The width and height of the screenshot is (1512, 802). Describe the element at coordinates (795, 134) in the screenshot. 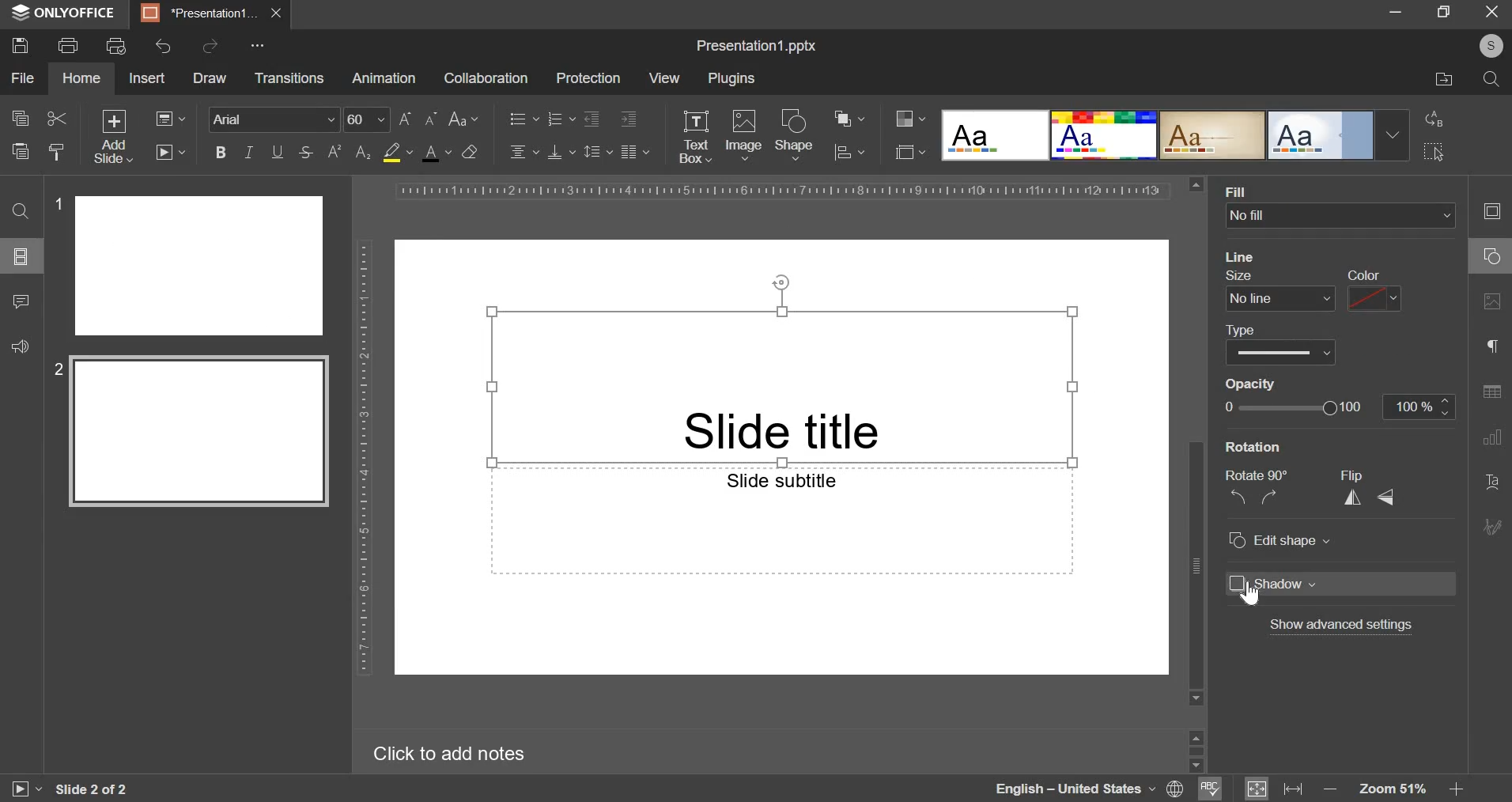

I see `shape` at that location.